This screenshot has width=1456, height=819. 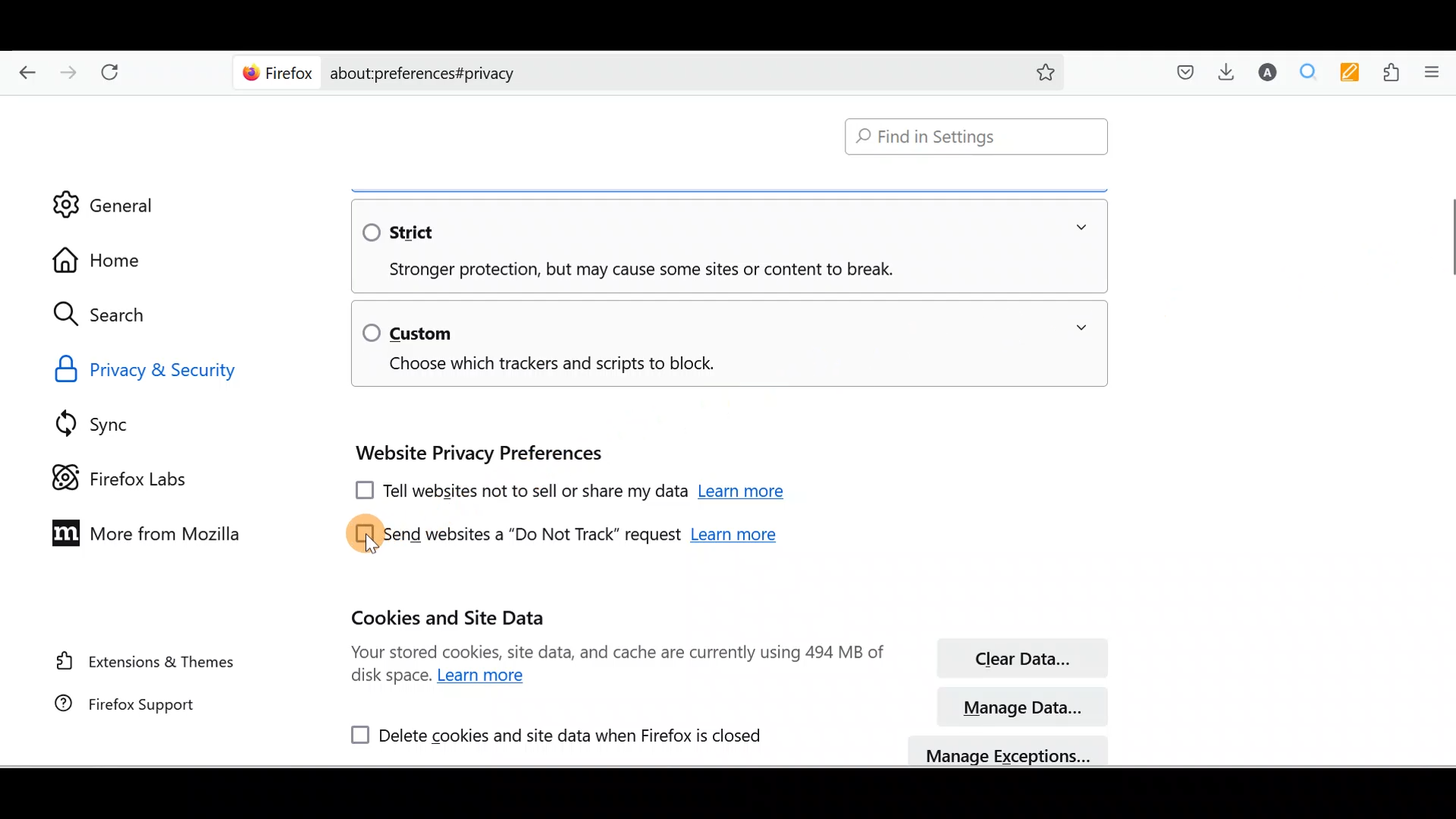 What do you see at coordinates (1021, 658) in the screenshot?
I see `Clear data` at bounding box center [1021, 658].